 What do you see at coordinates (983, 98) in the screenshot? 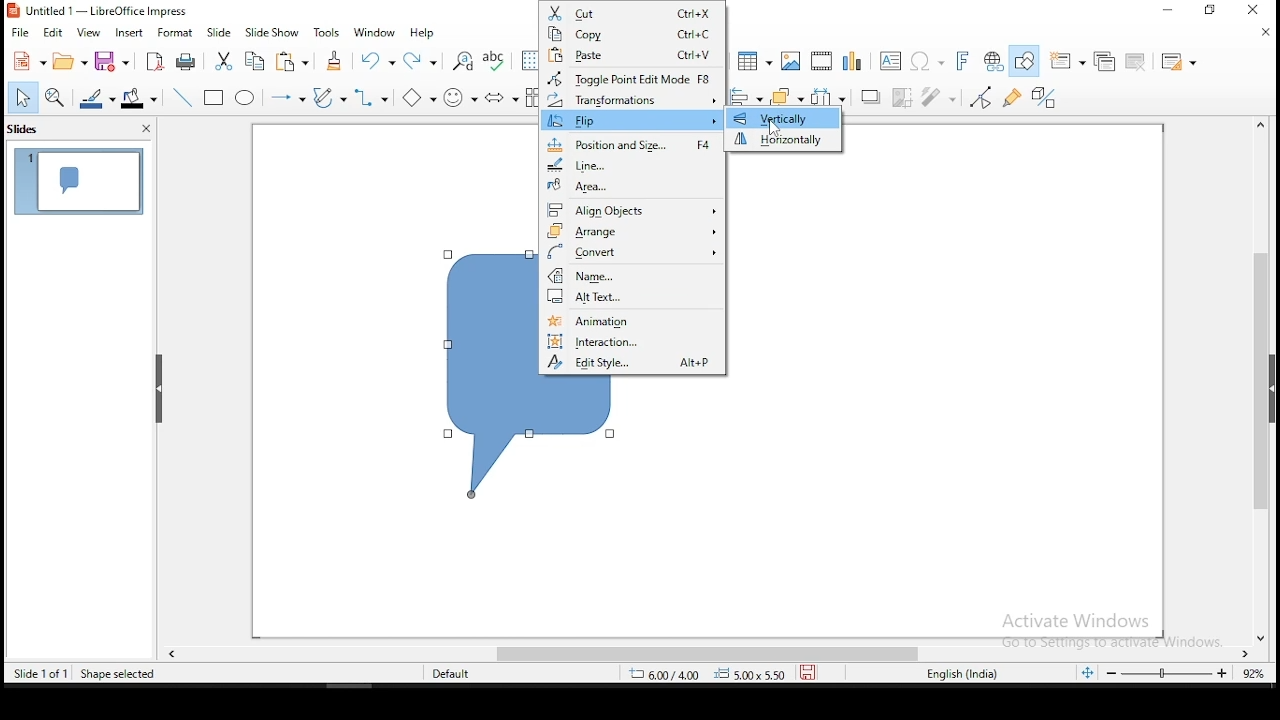
I see `toggle point edit mode` at bounding box center [983, 98].